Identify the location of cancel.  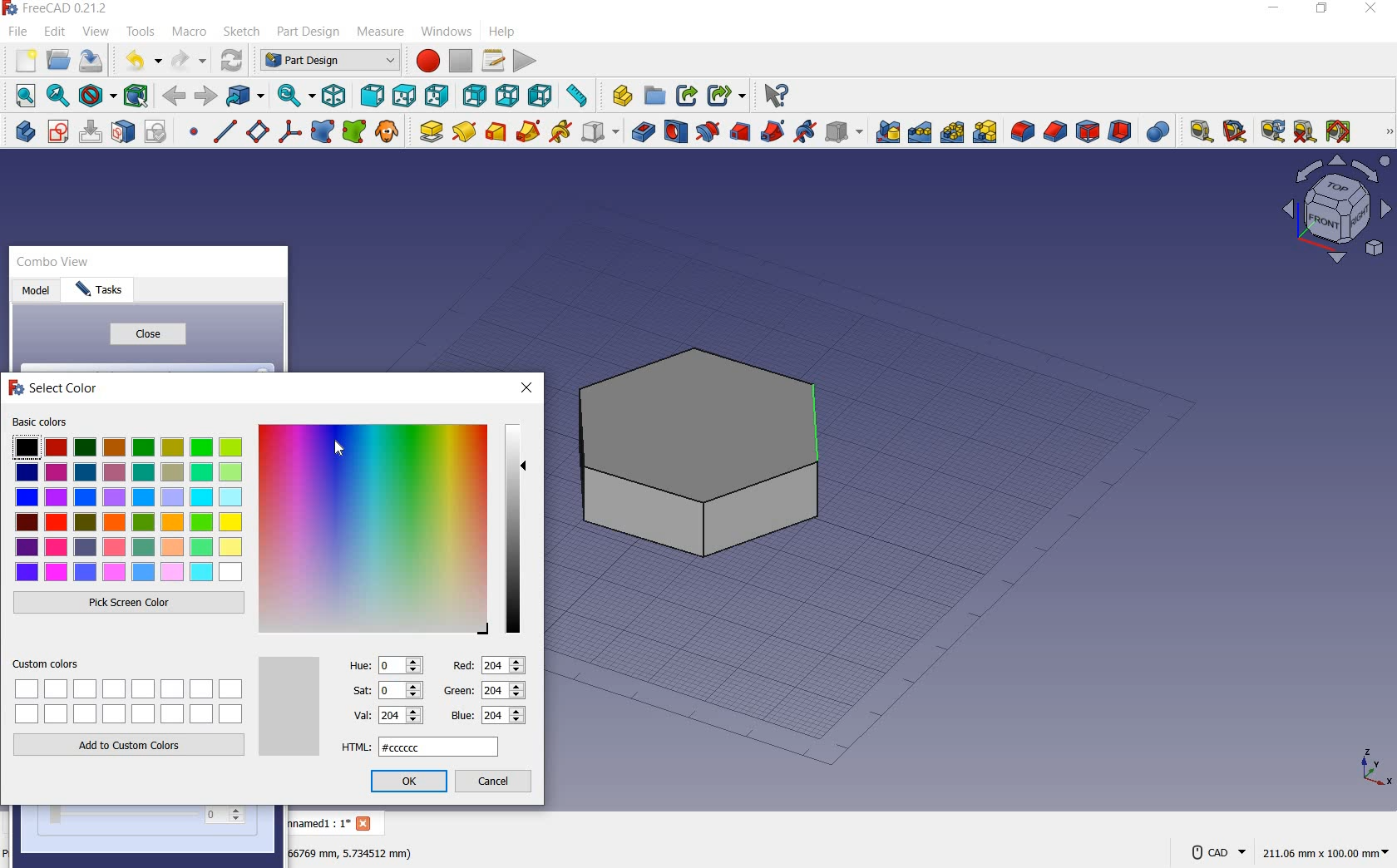
(496, 783).